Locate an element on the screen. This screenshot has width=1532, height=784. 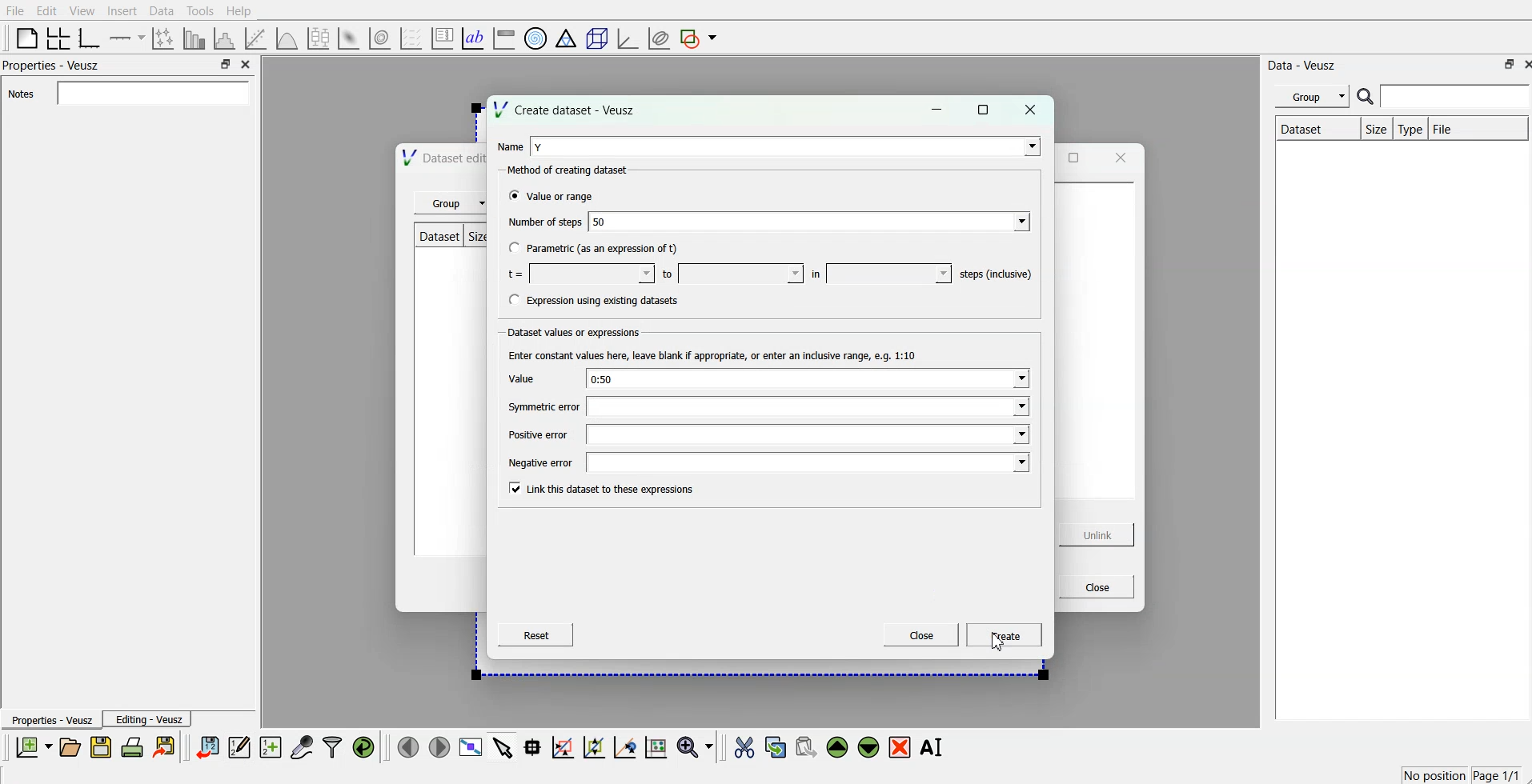
maximise is located at coordinates (989, 109).